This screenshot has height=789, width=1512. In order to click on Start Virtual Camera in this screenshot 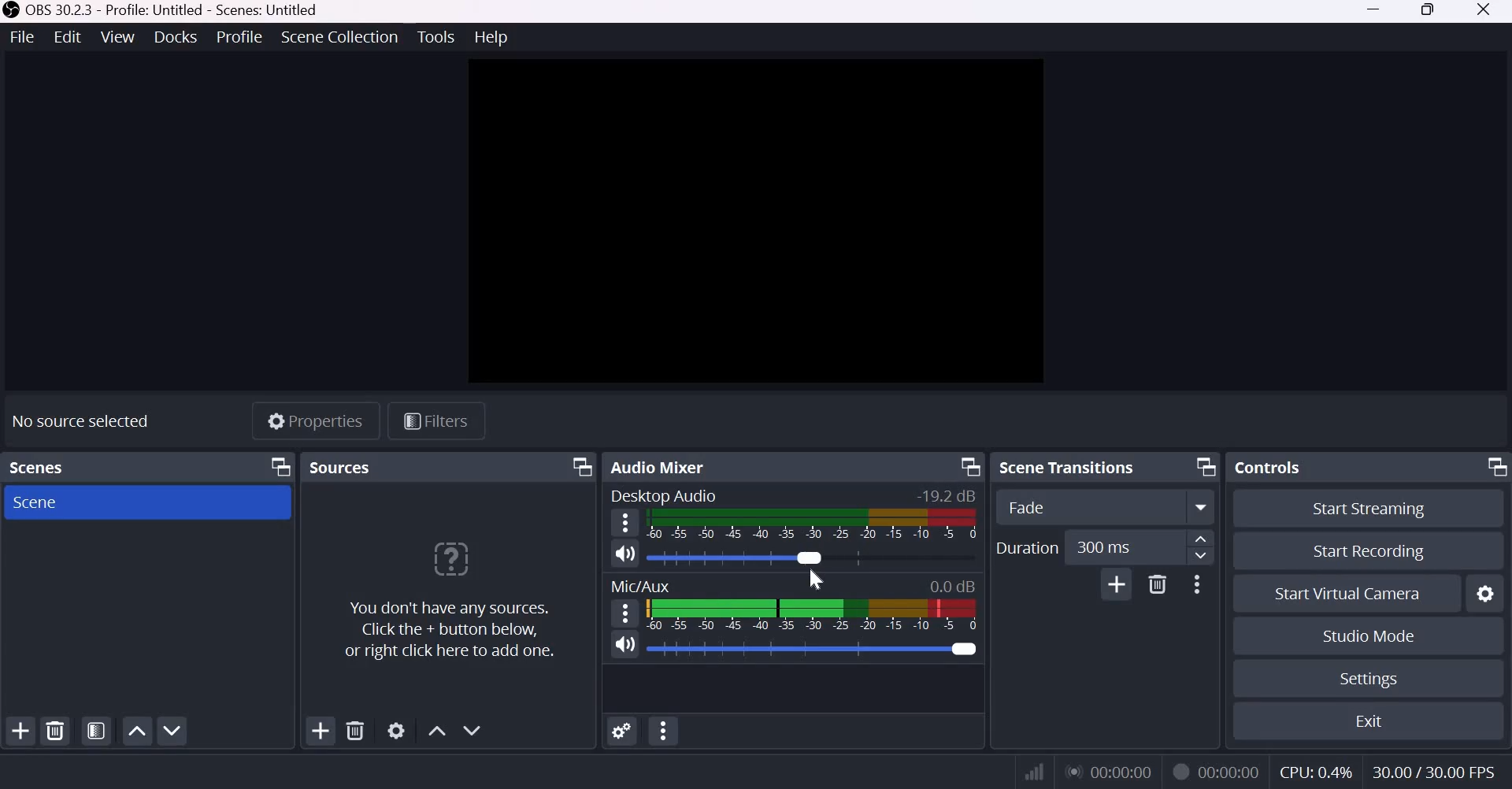, I will do `click(1348, 595)`.